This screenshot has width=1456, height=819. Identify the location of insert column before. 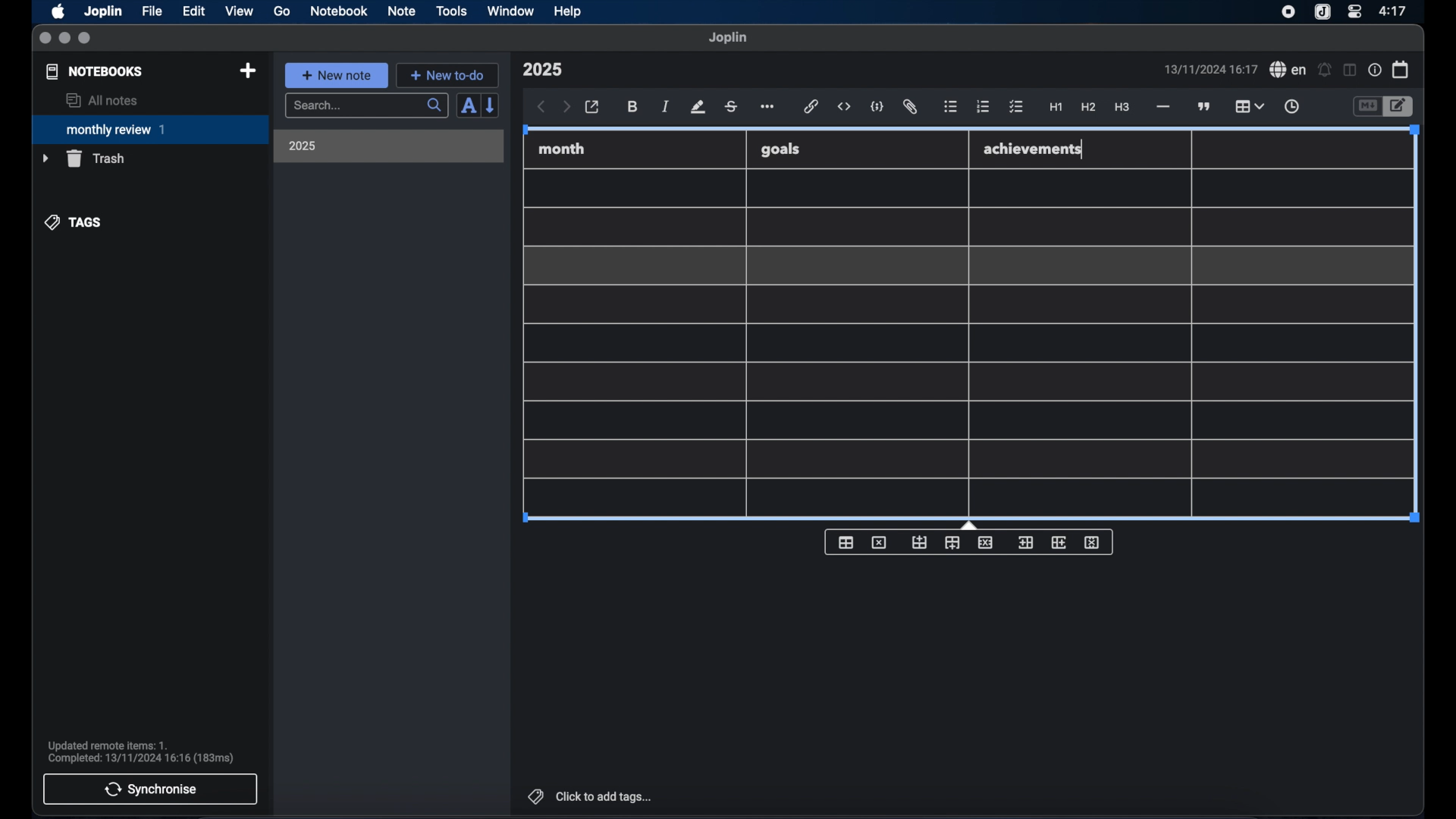
(1025, 543).